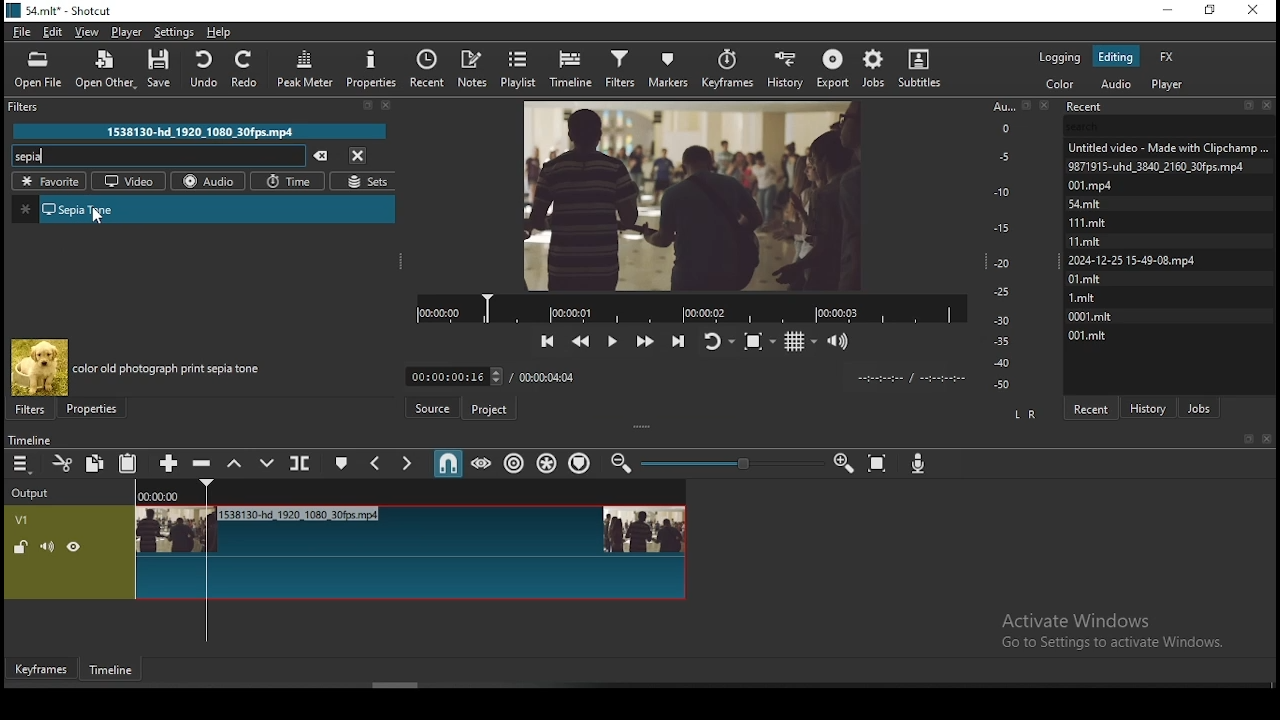 This screenshot has height=720, width=1280. I want to click on toggle grid display on the player, so click(800, 341).